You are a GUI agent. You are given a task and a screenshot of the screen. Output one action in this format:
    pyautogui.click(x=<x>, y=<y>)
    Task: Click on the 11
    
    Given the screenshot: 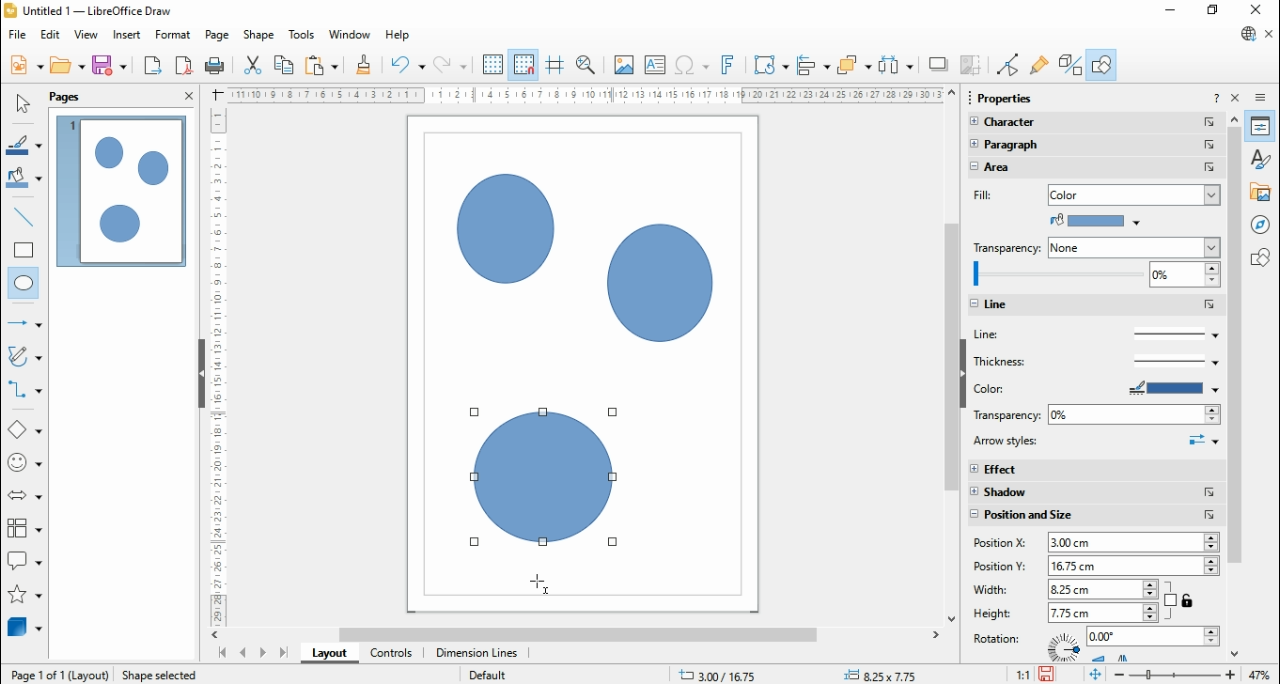 What is the action you would take?
    pyautogui.click(x=1024, y=674)
    